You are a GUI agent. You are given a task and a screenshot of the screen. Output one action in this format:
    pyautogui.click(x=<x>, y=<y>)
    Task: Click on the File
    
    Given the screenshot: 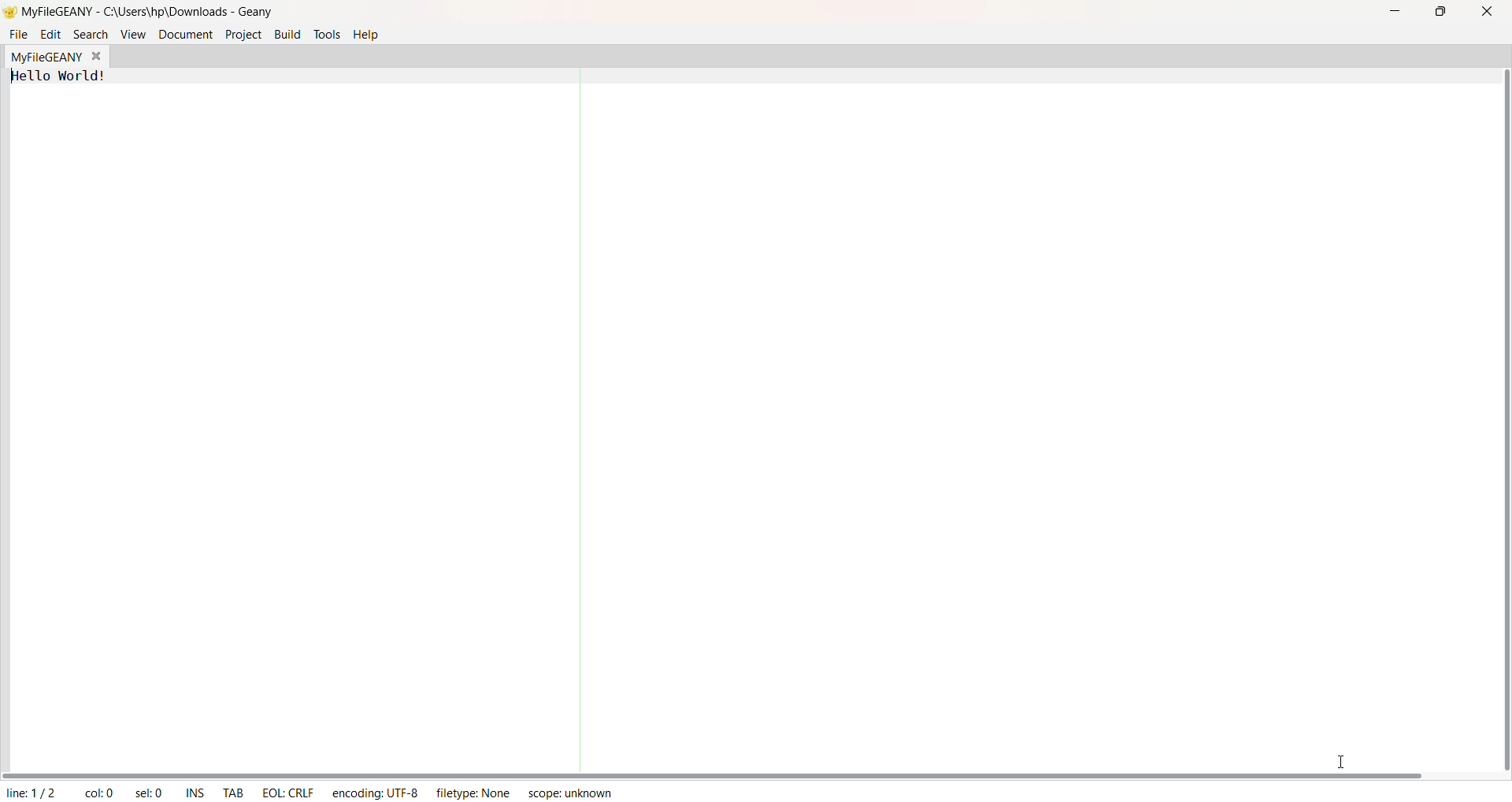 What is the action you would take?
    pyautogui.click(x=17, y=34)
    